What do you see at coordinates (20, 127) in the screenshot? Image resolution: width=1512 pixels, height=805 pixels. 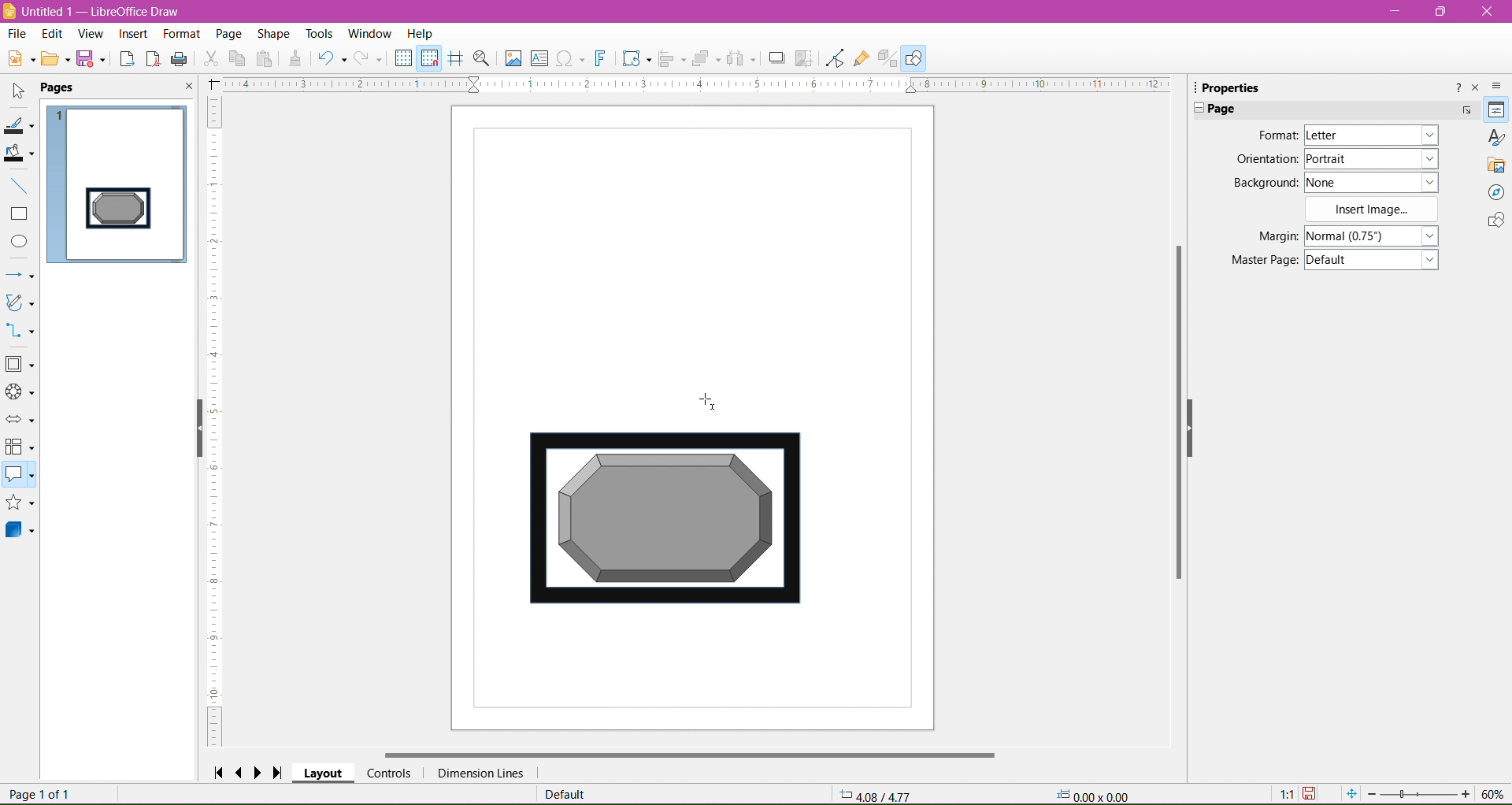 I see `Line Color` at bounding box center [20, 127].